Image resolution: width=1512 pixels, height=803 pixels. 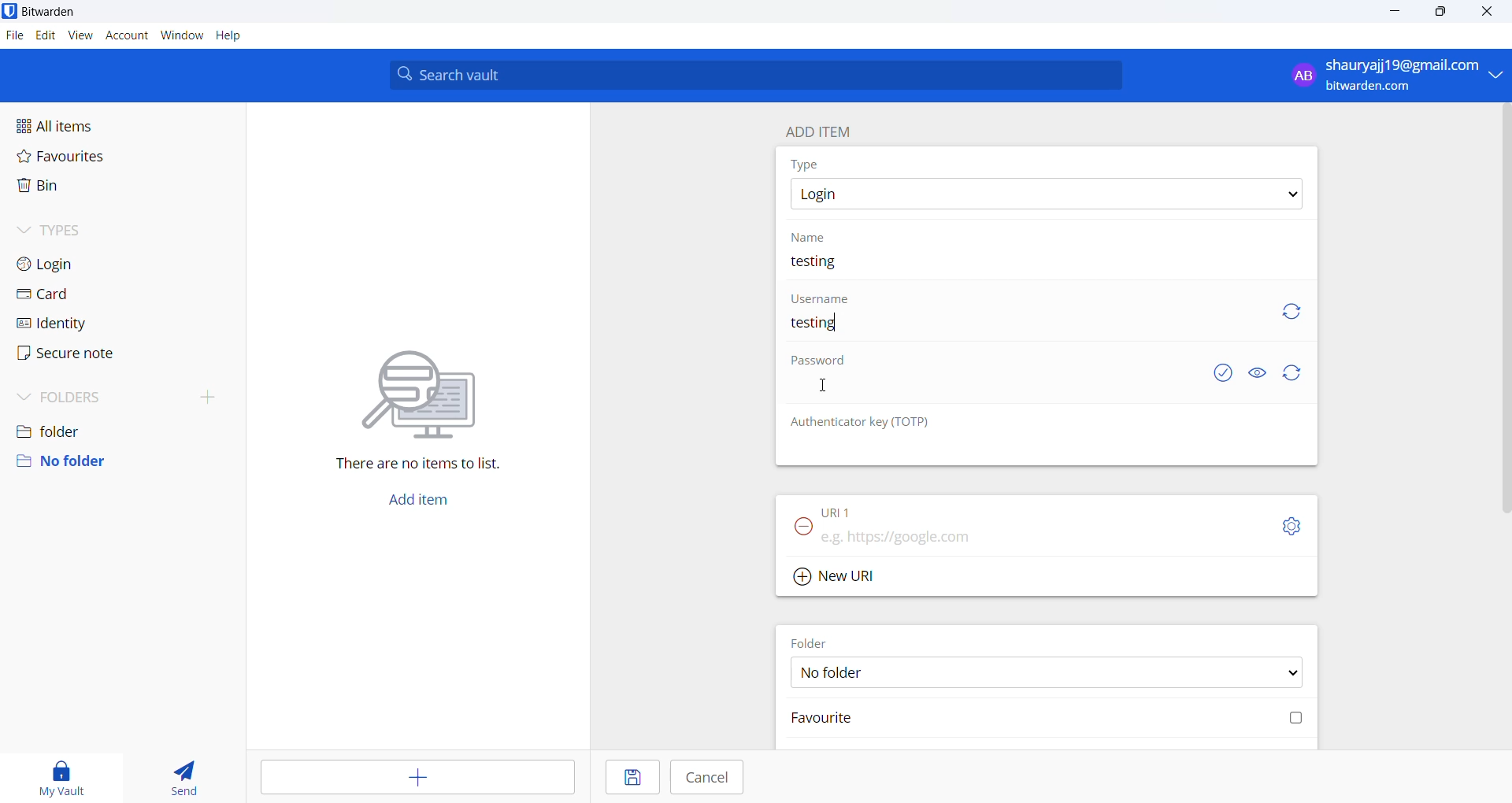 I want to click on maximize, so click(x=1443, y=13).